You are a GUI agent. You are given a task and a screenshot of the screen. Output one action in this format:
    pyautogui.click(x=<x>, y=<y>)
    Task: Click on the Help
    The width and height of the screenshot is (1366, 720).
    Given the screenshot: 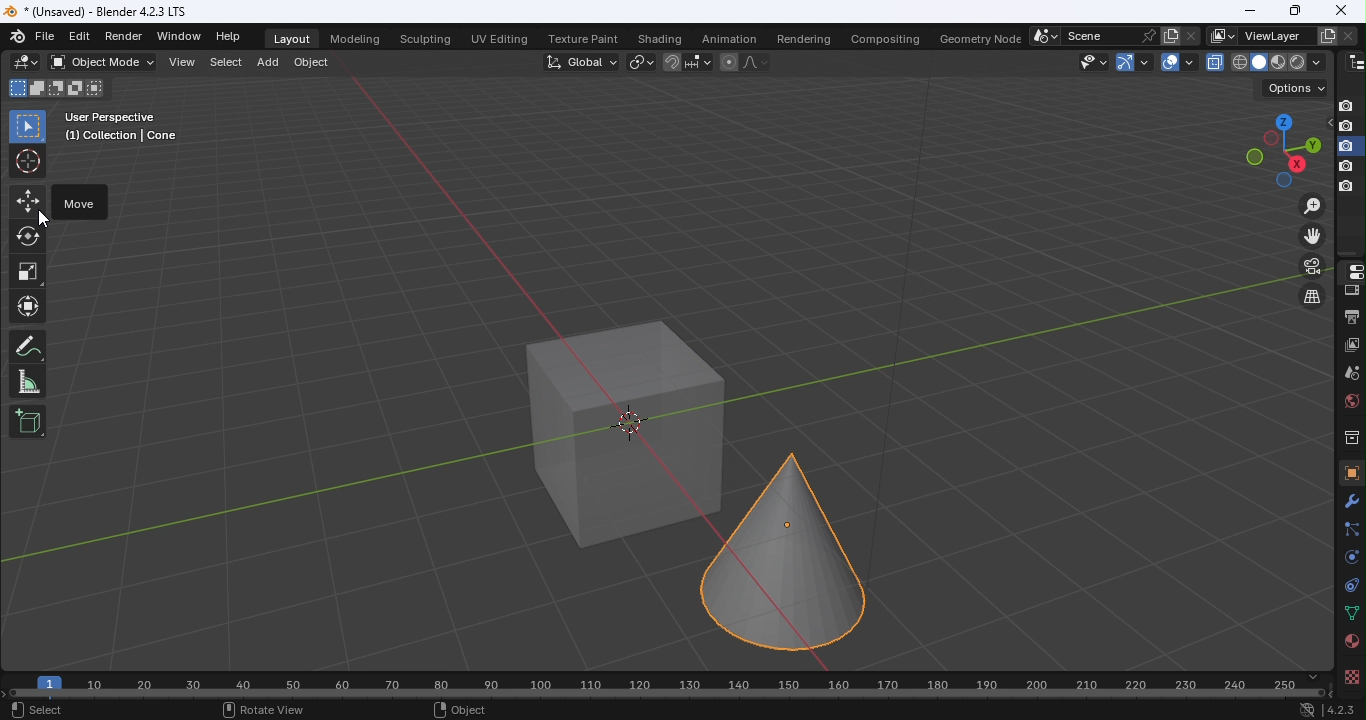 What is the action you would take?
    pyautogui.click(x=231, y=36)
    